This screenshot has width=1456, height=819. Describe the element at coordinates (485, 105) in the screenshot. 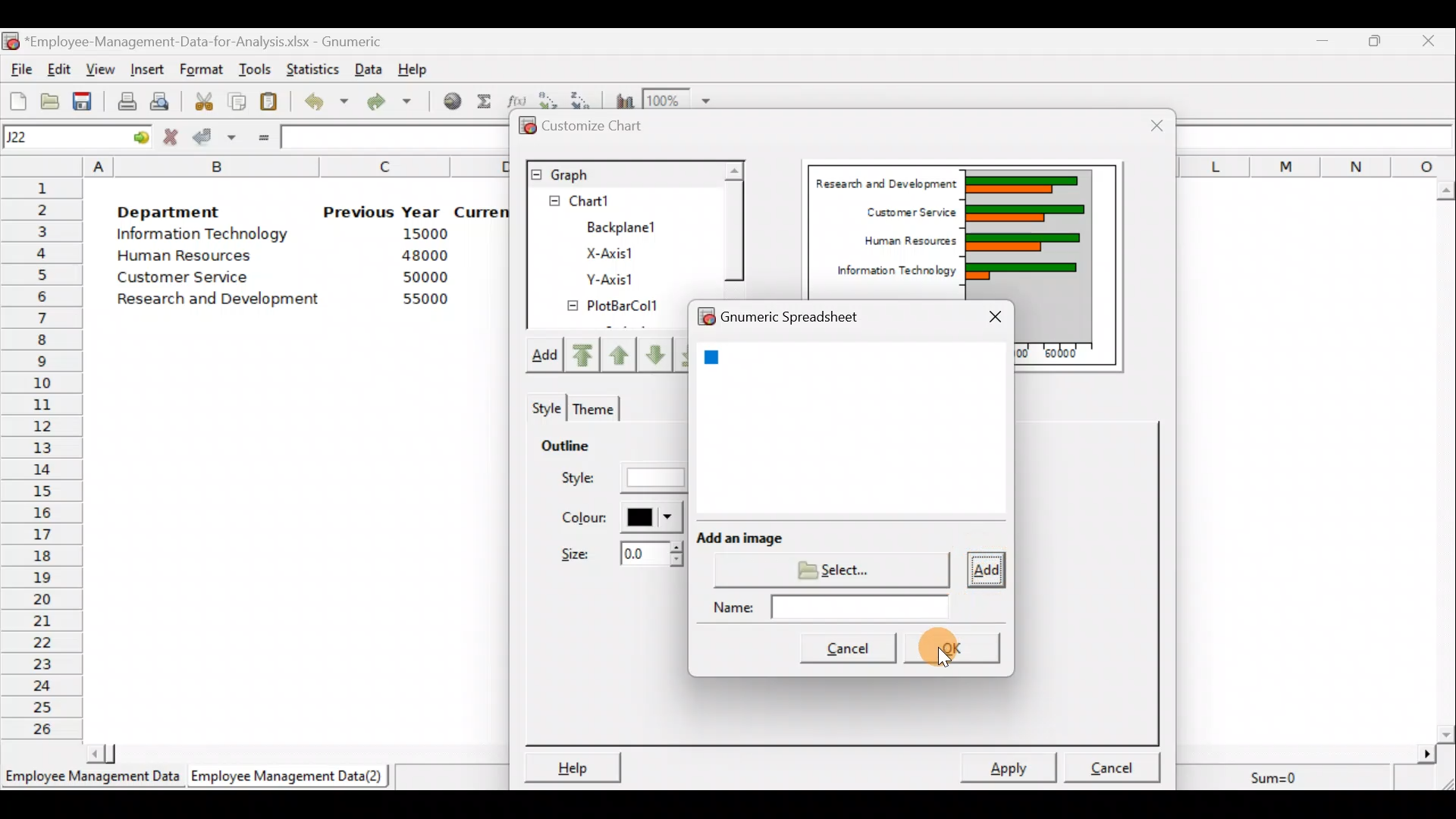

I see `Sum into the current cell` at that location.